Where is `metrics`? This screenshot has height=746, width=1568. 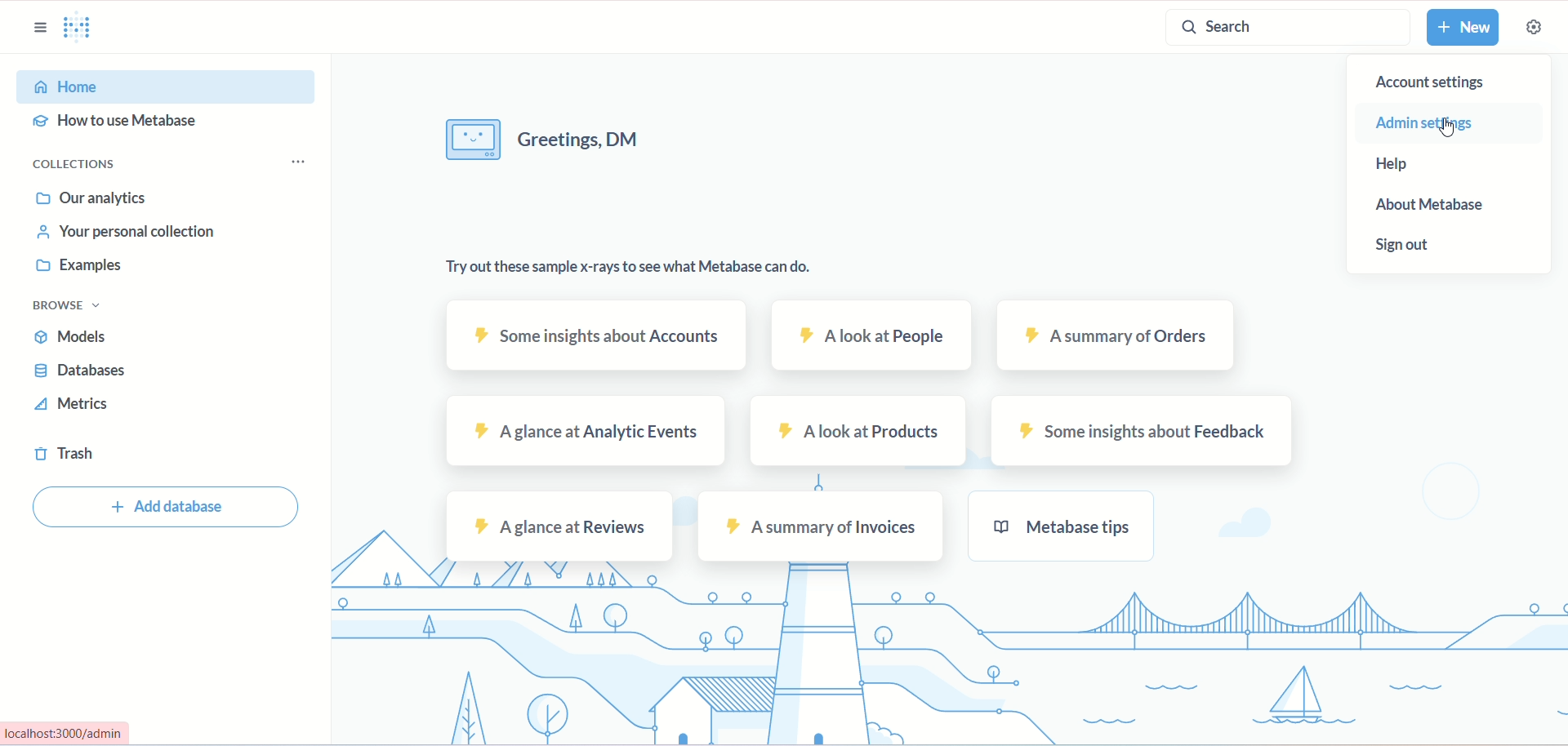
metrics is located at coordinates (79, 405).